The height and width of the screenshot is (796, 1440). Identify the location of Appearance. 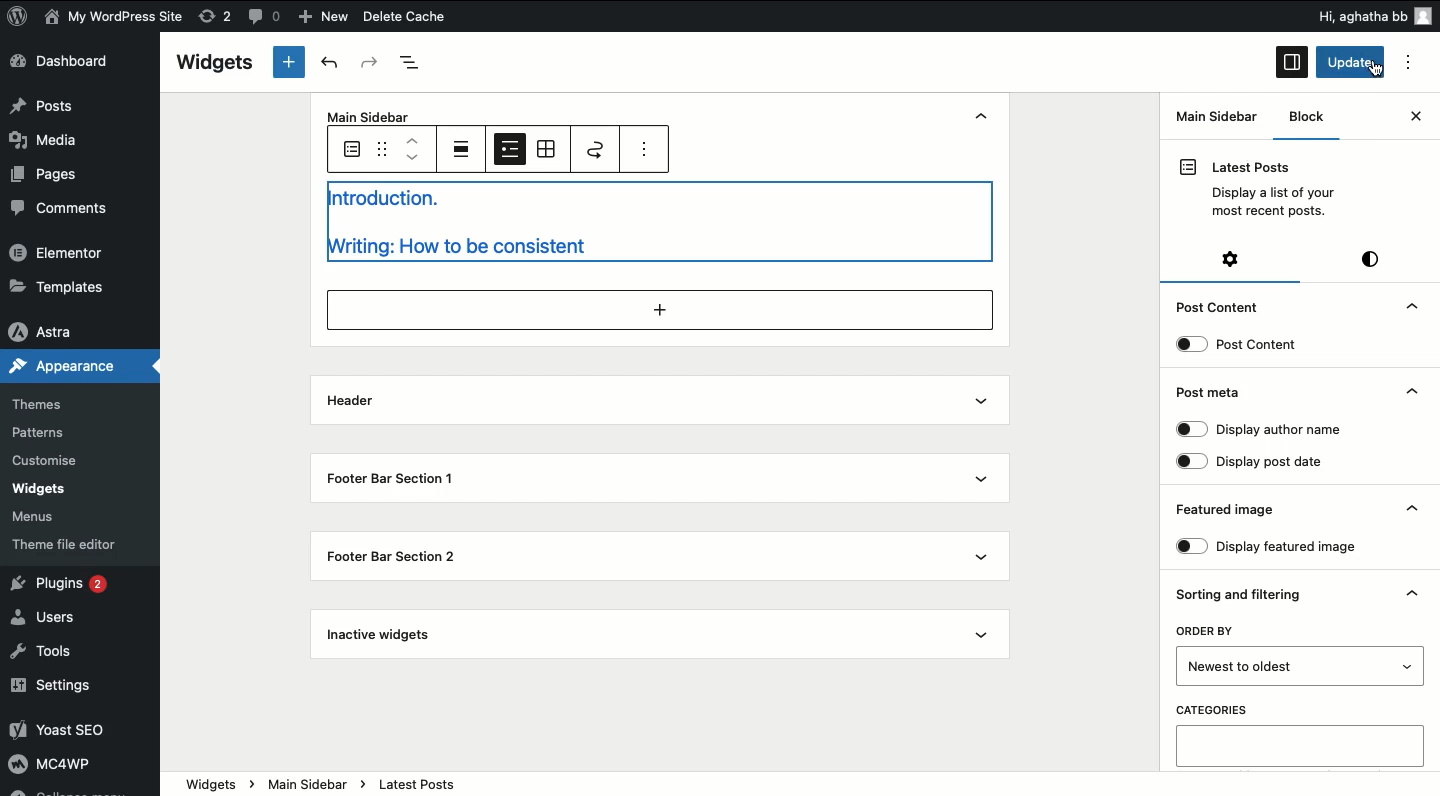
(70, 365).